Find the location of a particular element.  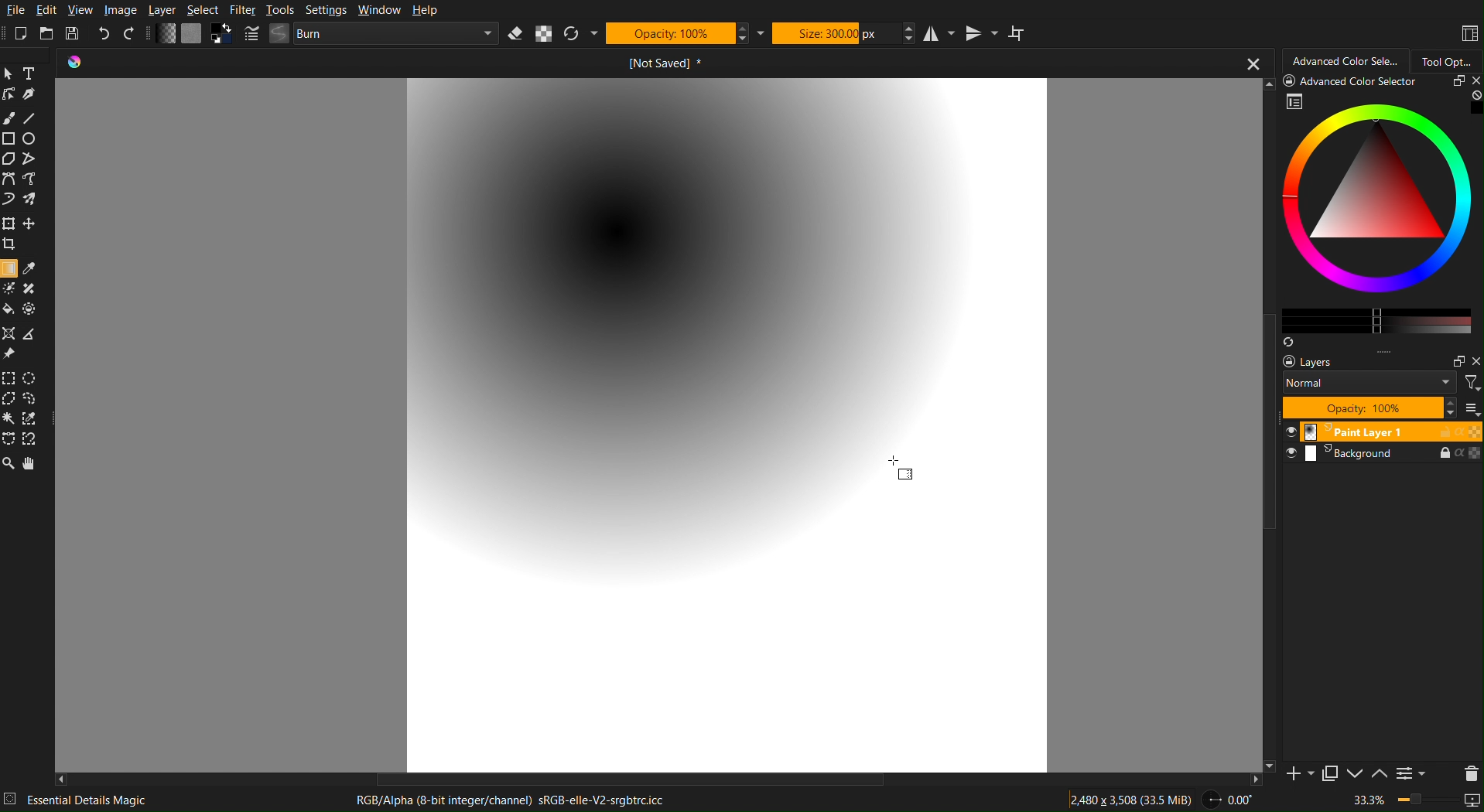

Refresh is located at coordinates (581, 33).